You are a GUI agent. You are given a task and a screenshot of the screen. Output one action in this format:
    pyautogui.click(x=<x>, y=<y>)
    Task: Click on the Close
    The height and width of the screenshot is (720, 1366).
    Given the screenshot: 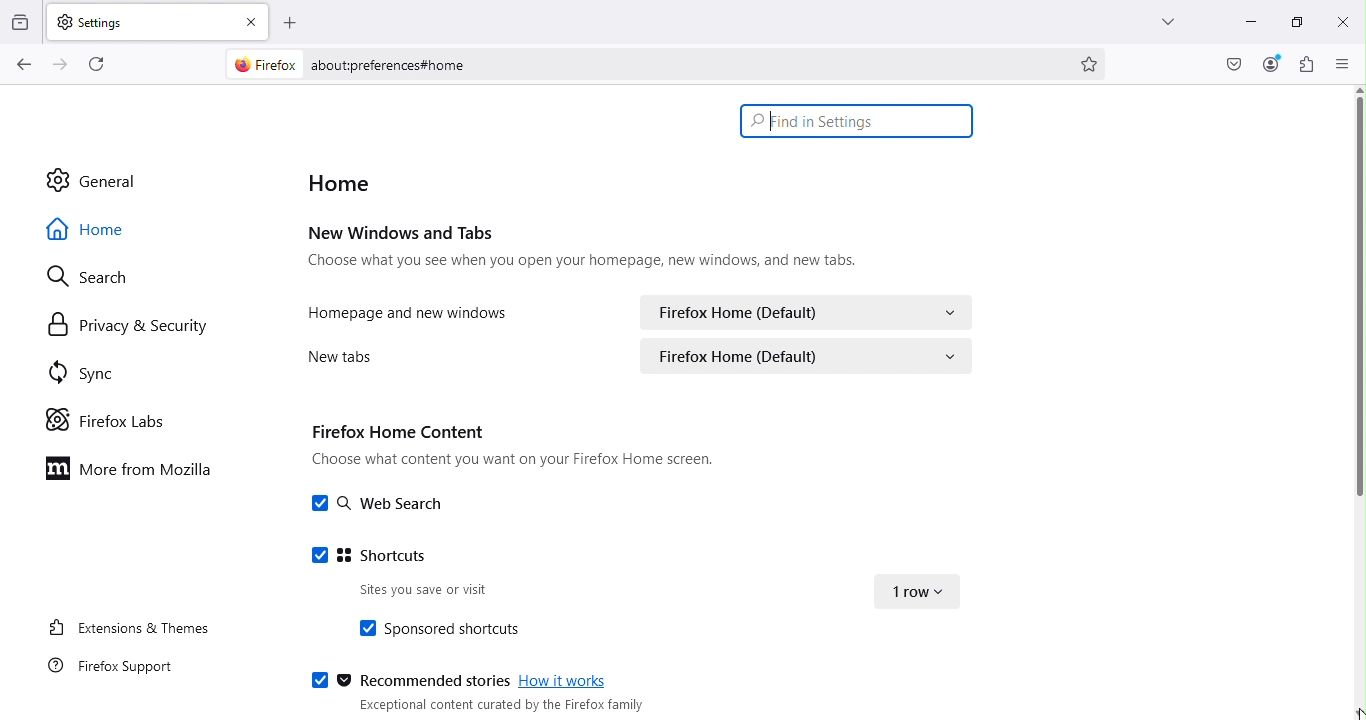 What is the action you would take?
    pyautogui.click(x=1340, y=19)
    